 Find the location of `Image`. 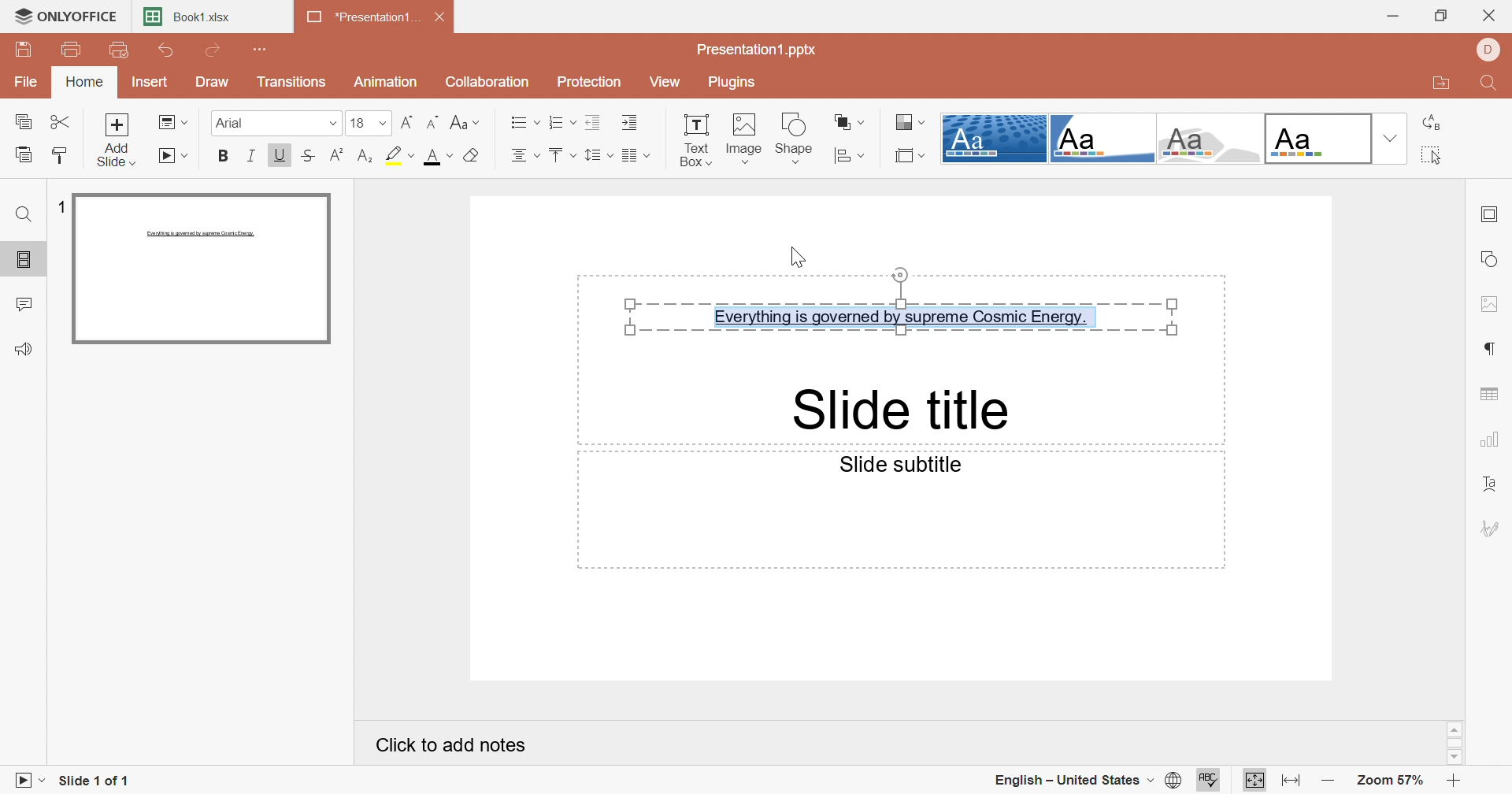

Image is located at coordinates (744, 138).